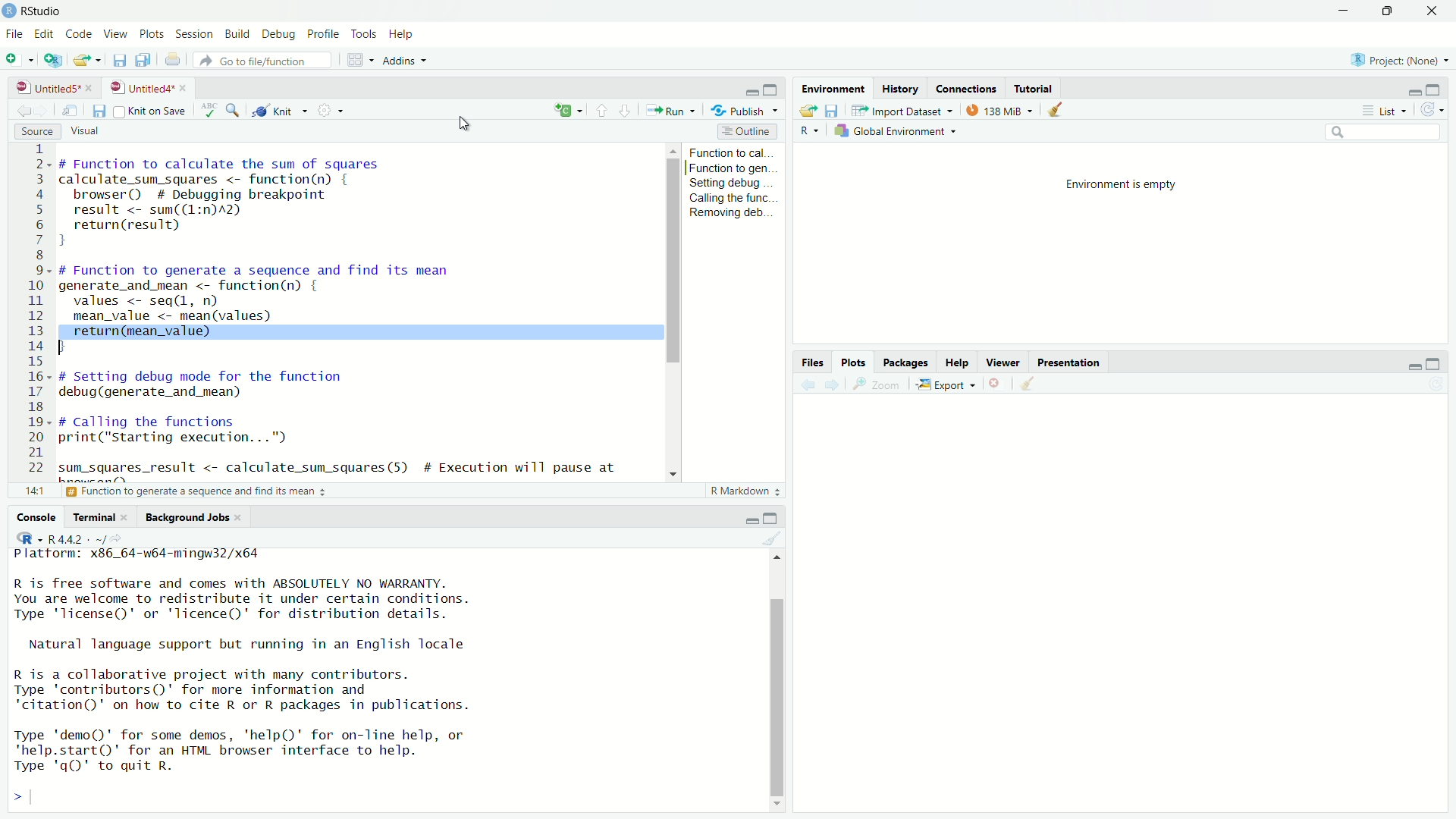 Image resolution: width=1456 pixels, height=819 pixels. What do you see at coordinates (86, 60) in the screenshot?
I see `open an existing file` at bounding box center [86, 60].